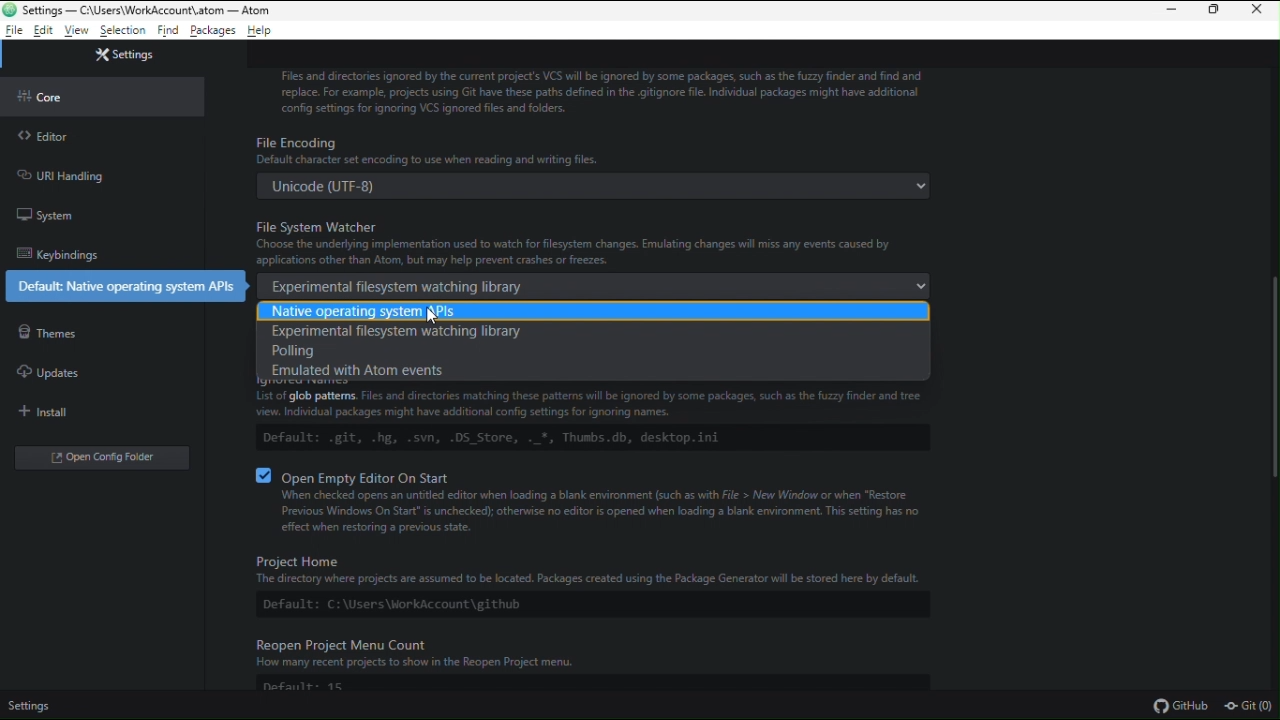 The width and height of the screenshot is (1280, 720). I want to click on Core, so click(47, 96).